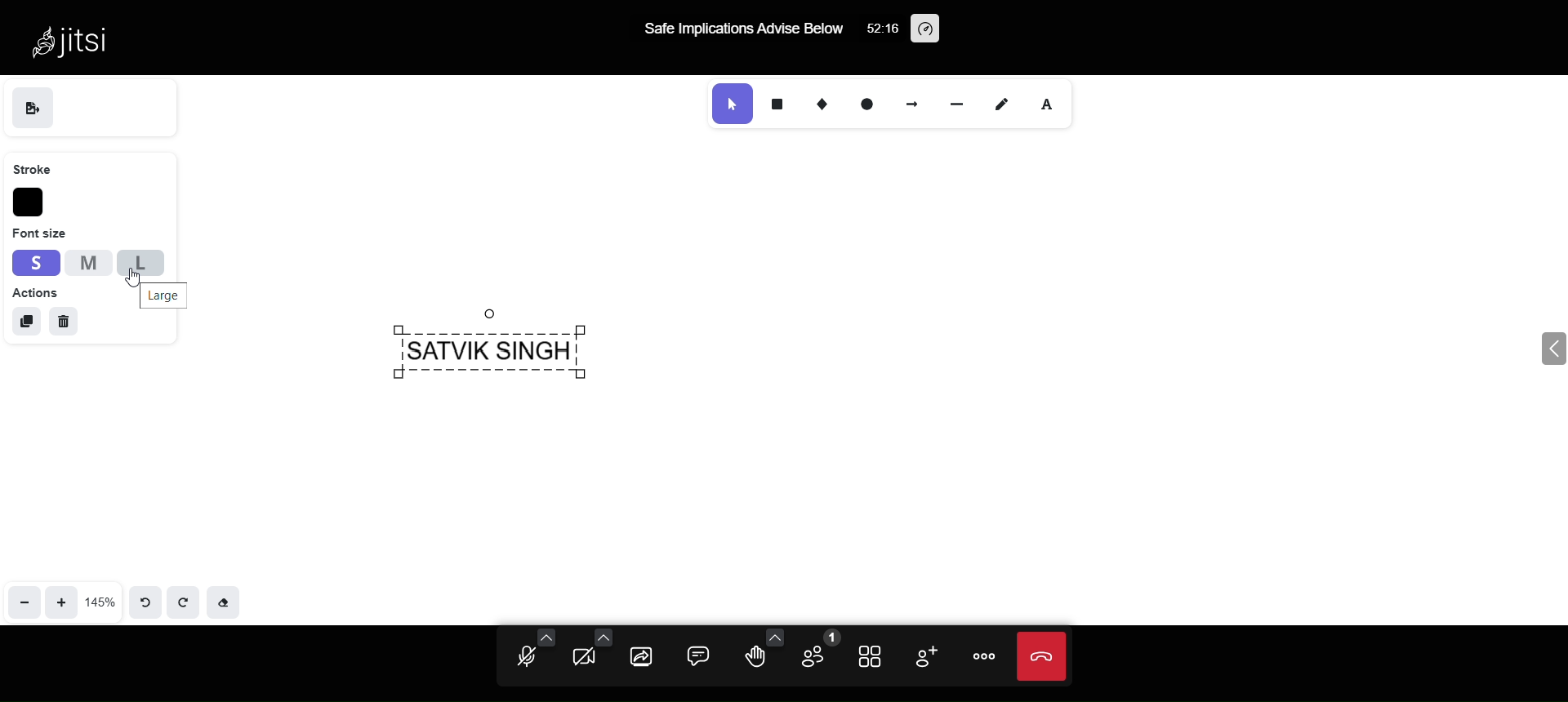 The width and height of the screenshot is (1568, 702). What do you see at coordinates (728, 104) in the screenshot?
I see `Selection` at bounding box center [728, 104].